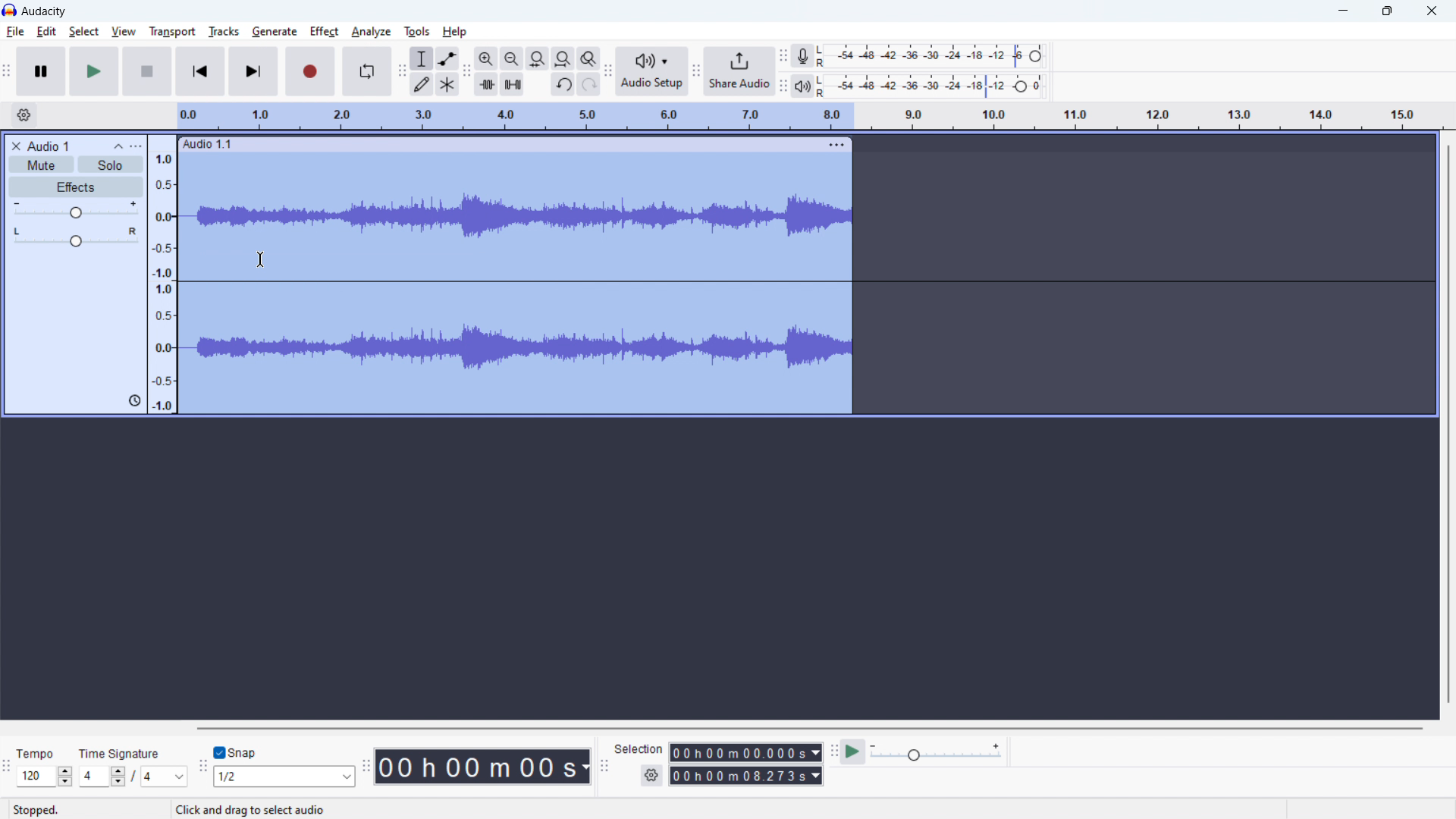 The width and height of the screenshot is (1456, 819). I want to click on collapse, so click(118, 146).